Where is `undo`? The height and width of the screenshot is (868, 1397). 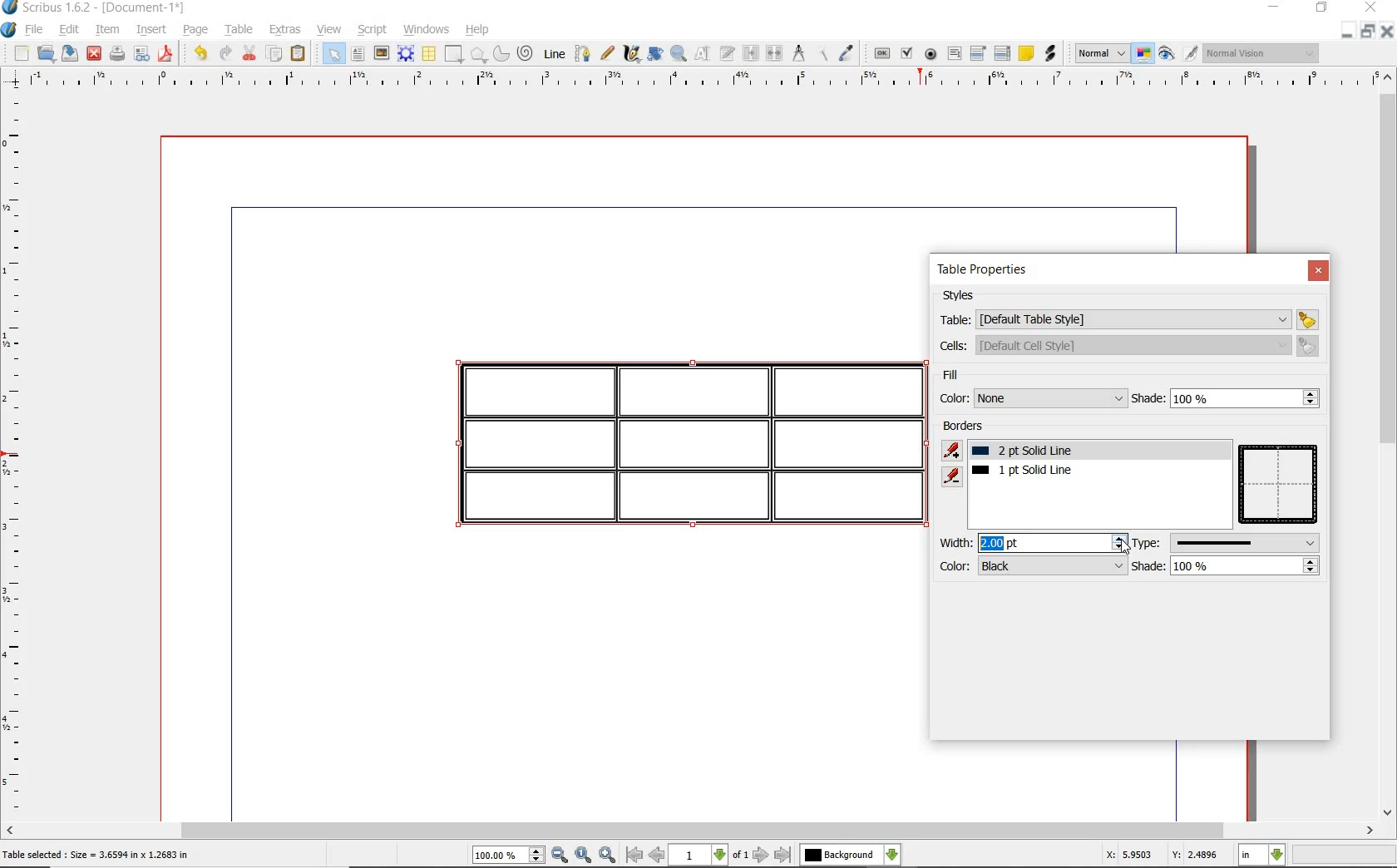
undo is located at coordinates (200, 54).